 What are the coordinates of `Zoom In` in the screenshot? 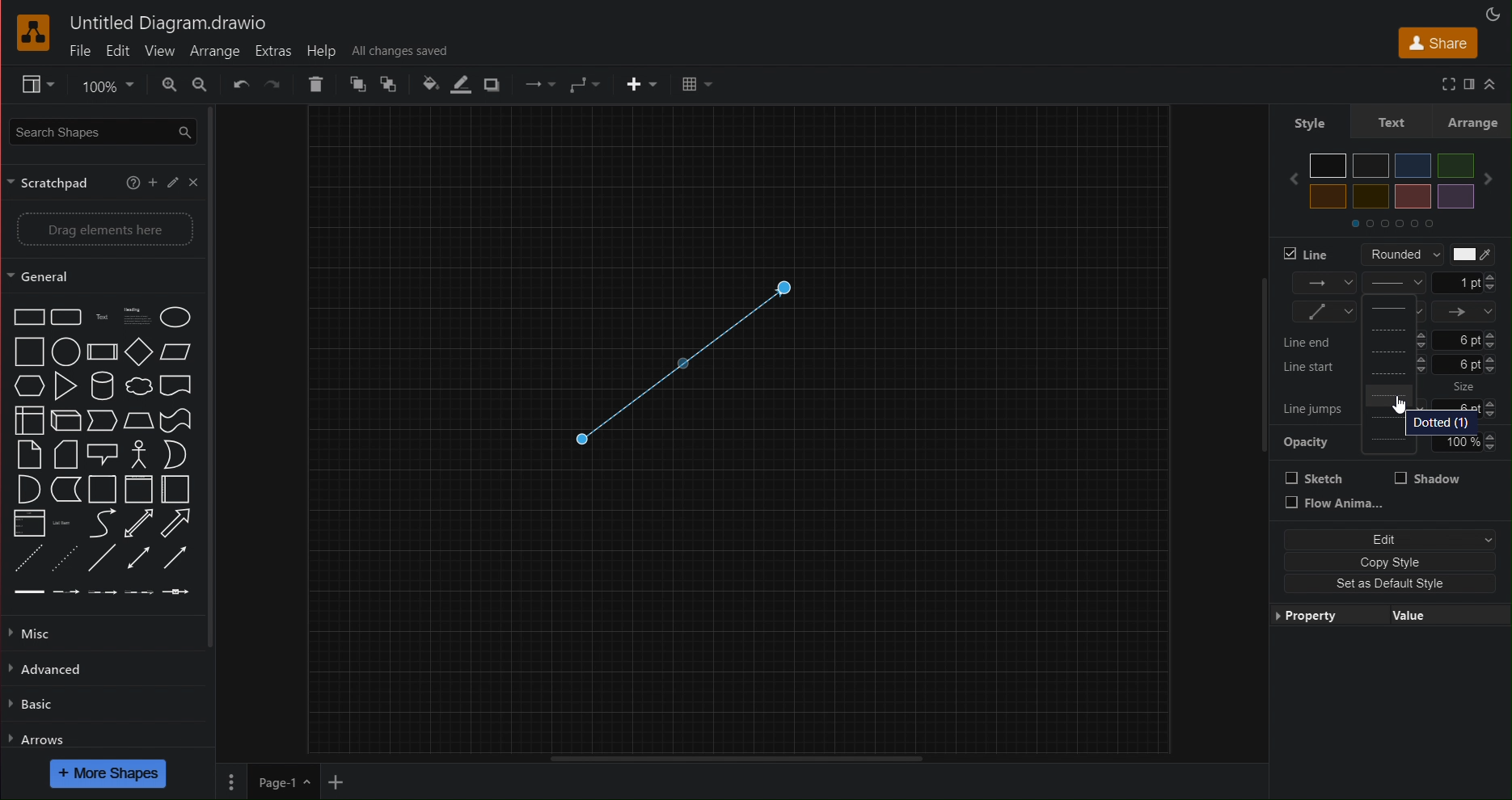 It's located at (168, 84).